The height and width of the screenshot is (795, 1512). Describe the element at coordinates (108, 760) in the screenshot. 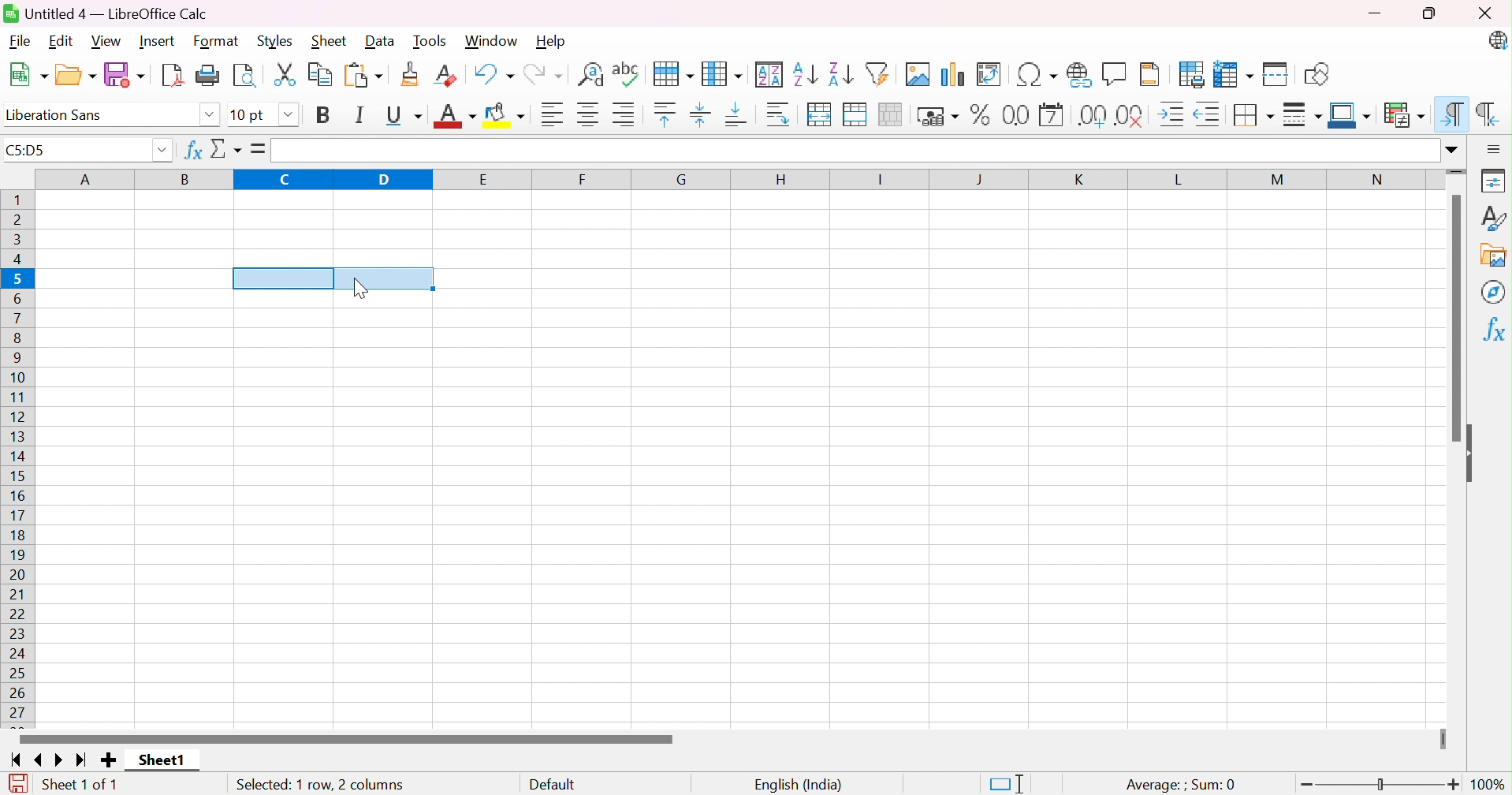

I see `Add new sheet` at that location.